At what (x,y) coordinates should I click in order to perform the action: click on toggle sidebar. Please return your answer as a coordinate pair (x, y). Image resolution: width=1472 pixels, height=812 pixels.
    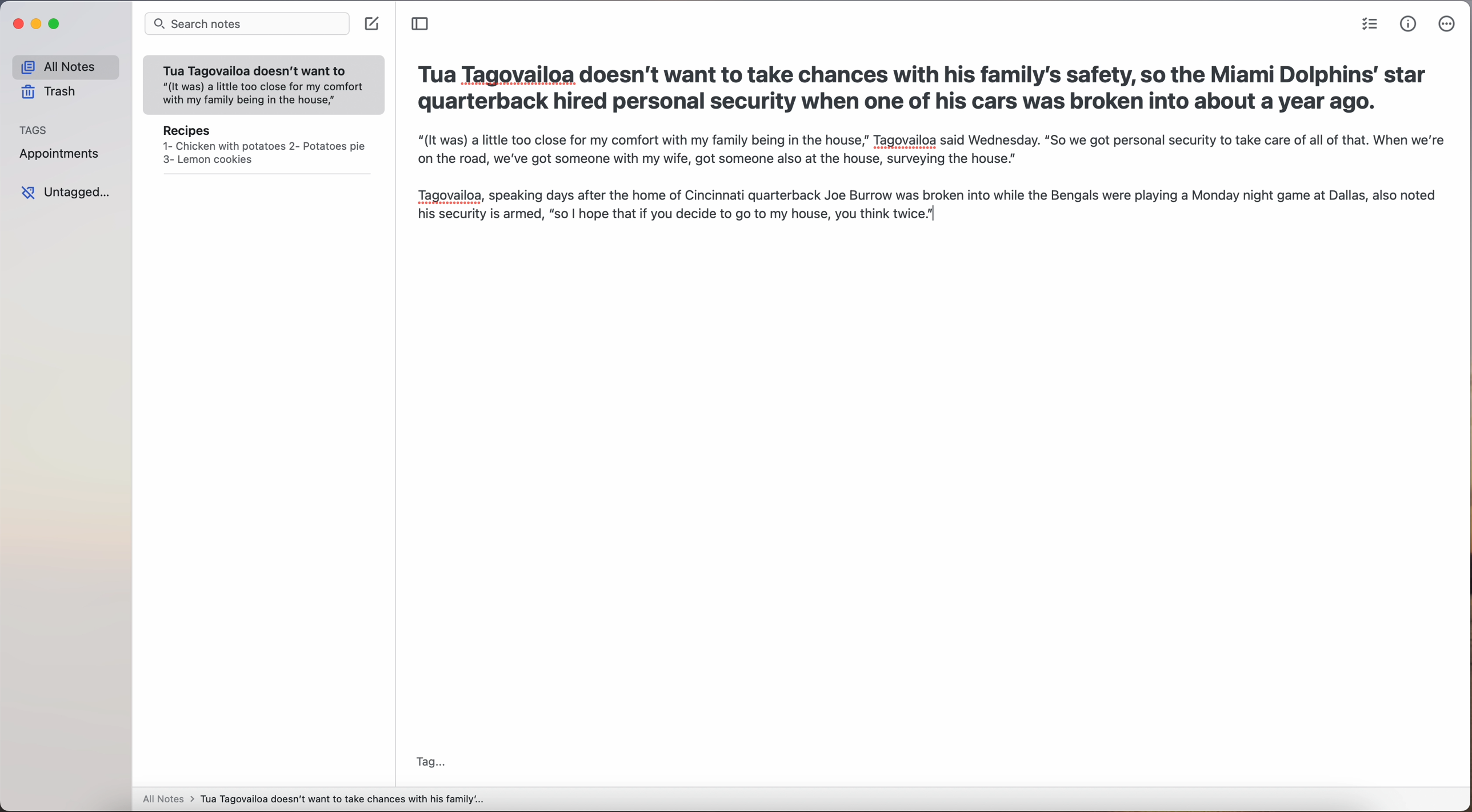
    Looking at the image, I should click on (421, 24).